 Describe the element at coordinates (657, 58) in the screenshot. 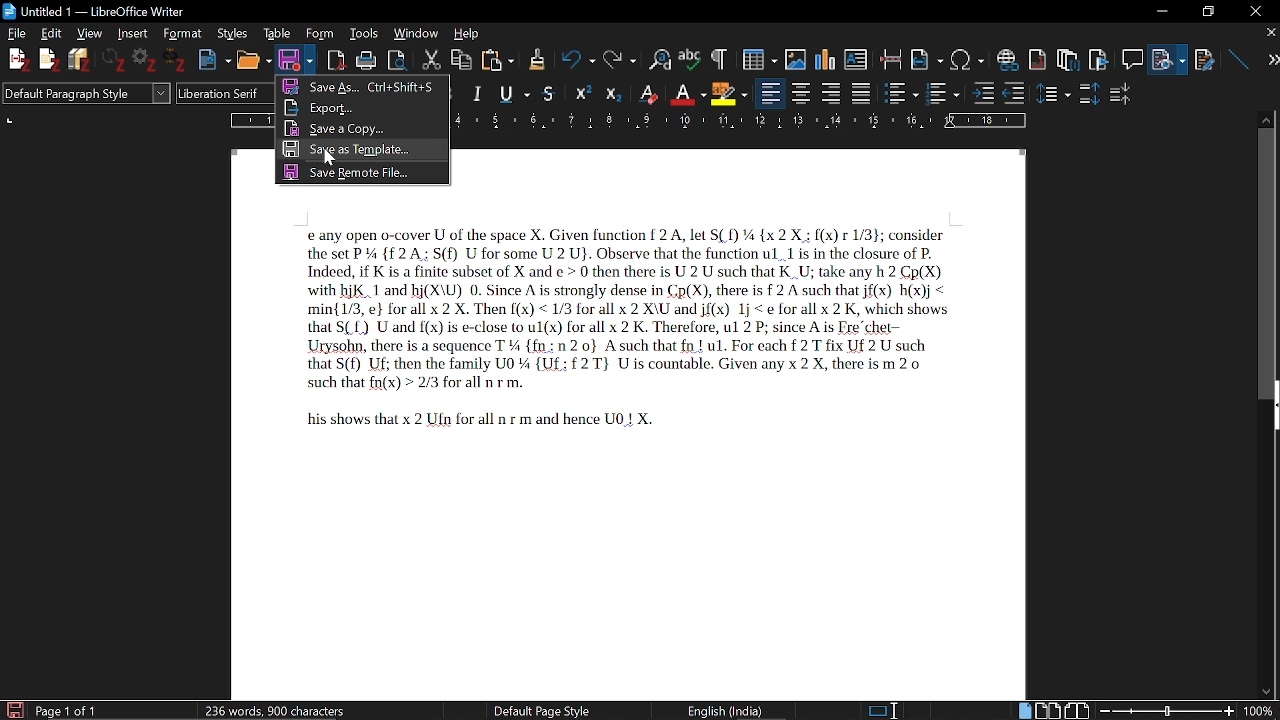

I see `Find and replace ` at that location.